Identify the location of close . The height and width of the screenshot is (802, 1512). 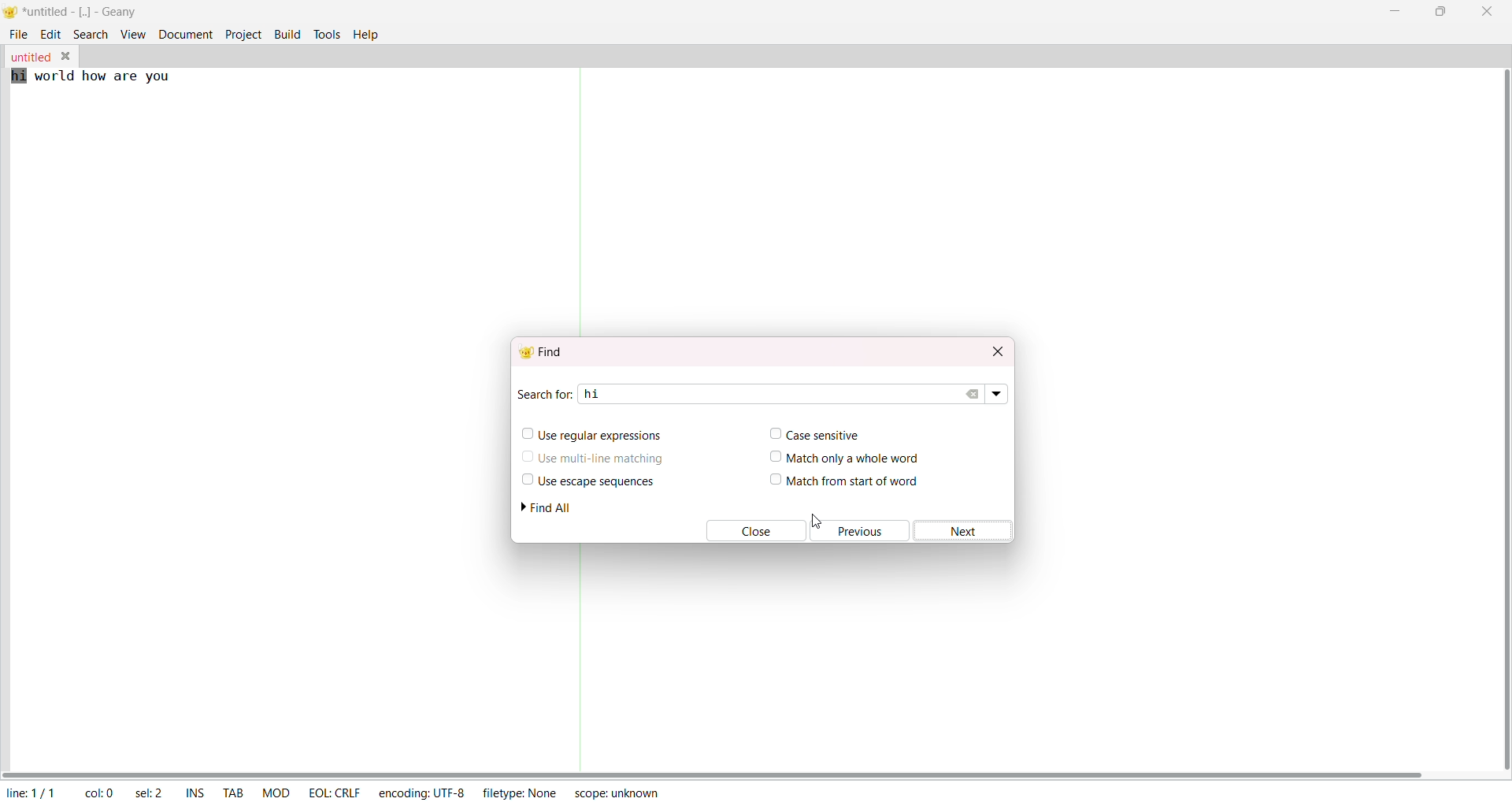
(71, 55).